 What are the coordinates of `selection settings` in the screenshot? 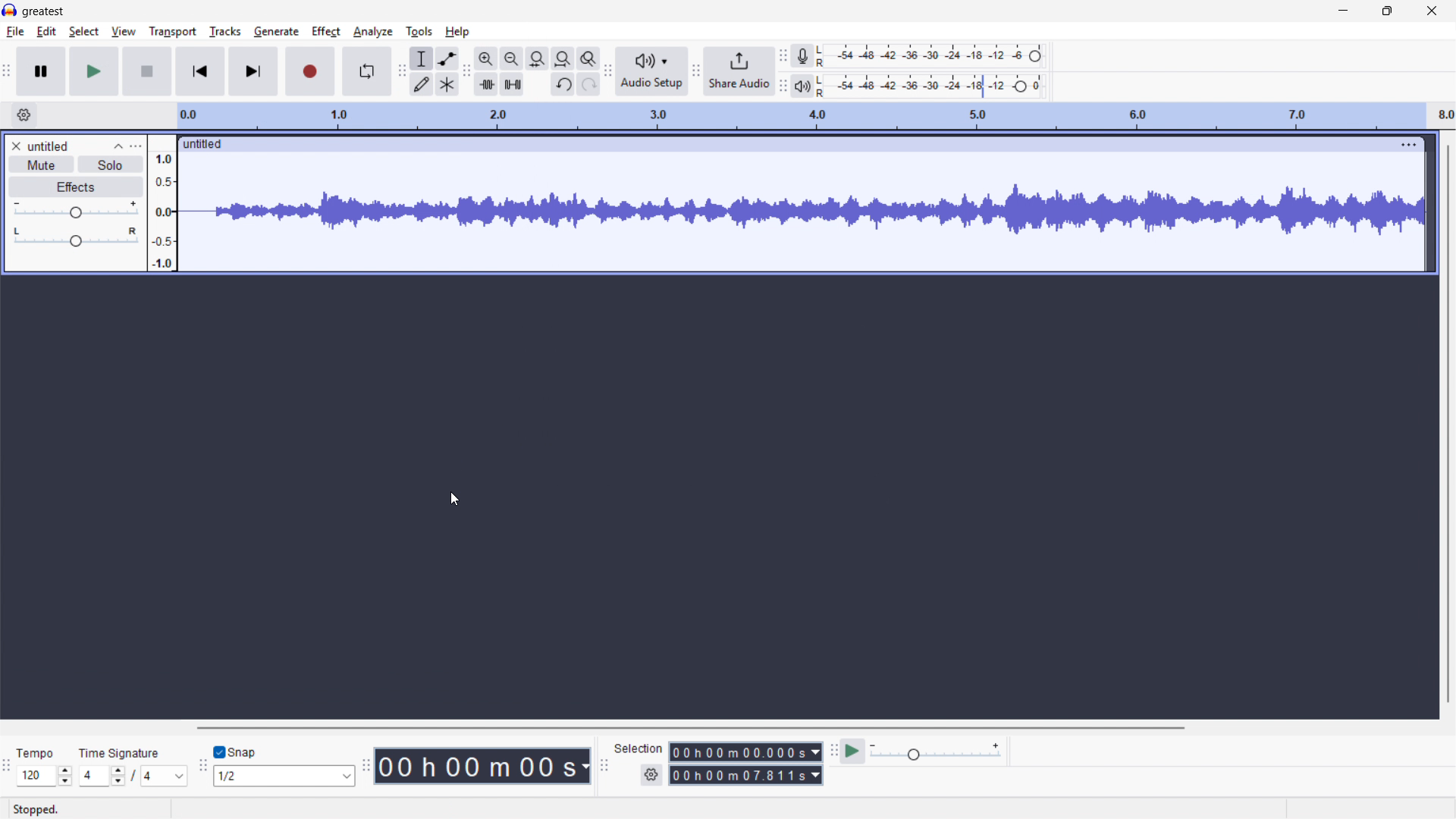 It's located at (651, 777).